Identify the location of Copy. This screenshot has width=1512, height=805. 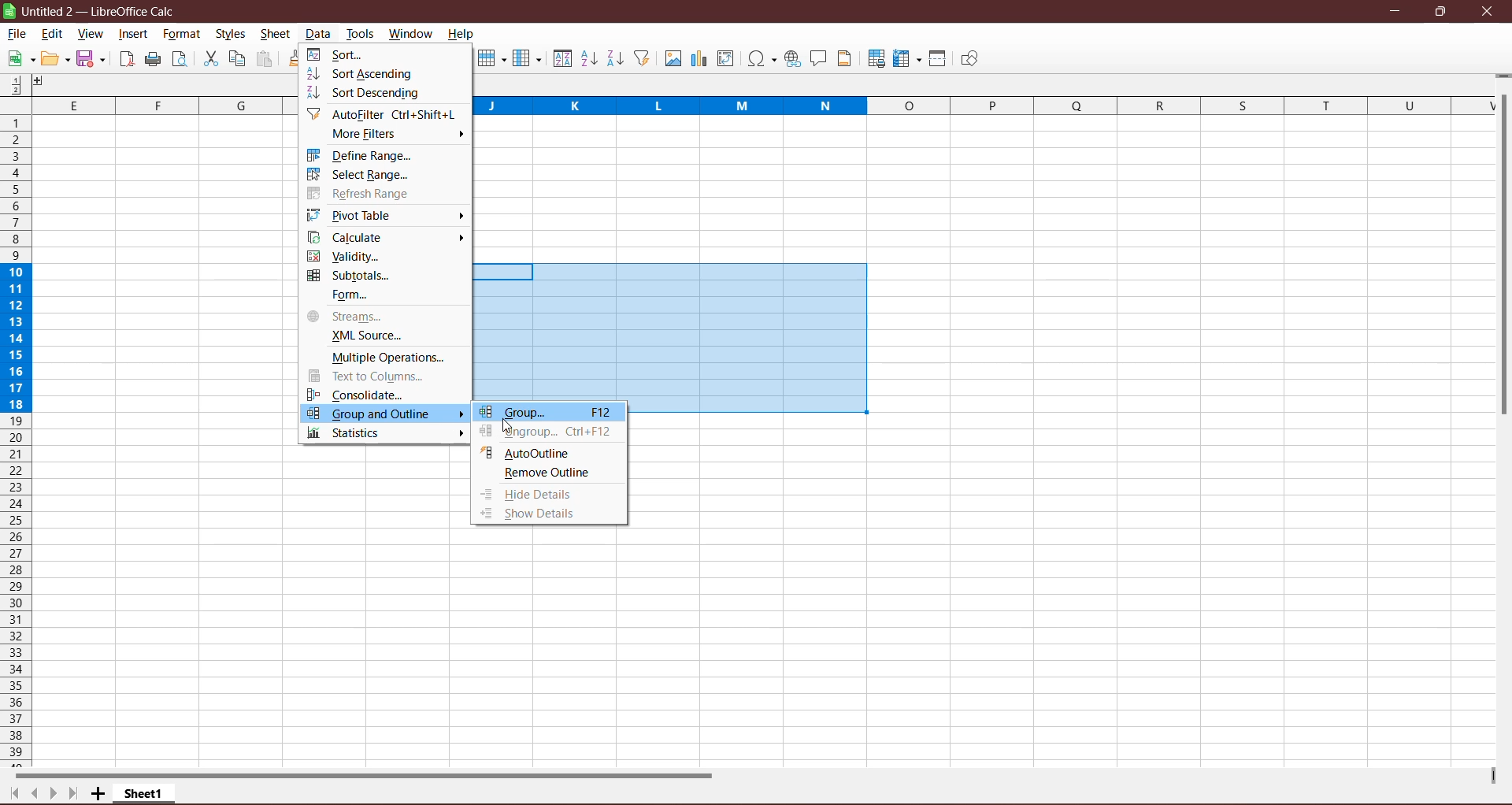
(237, 58).